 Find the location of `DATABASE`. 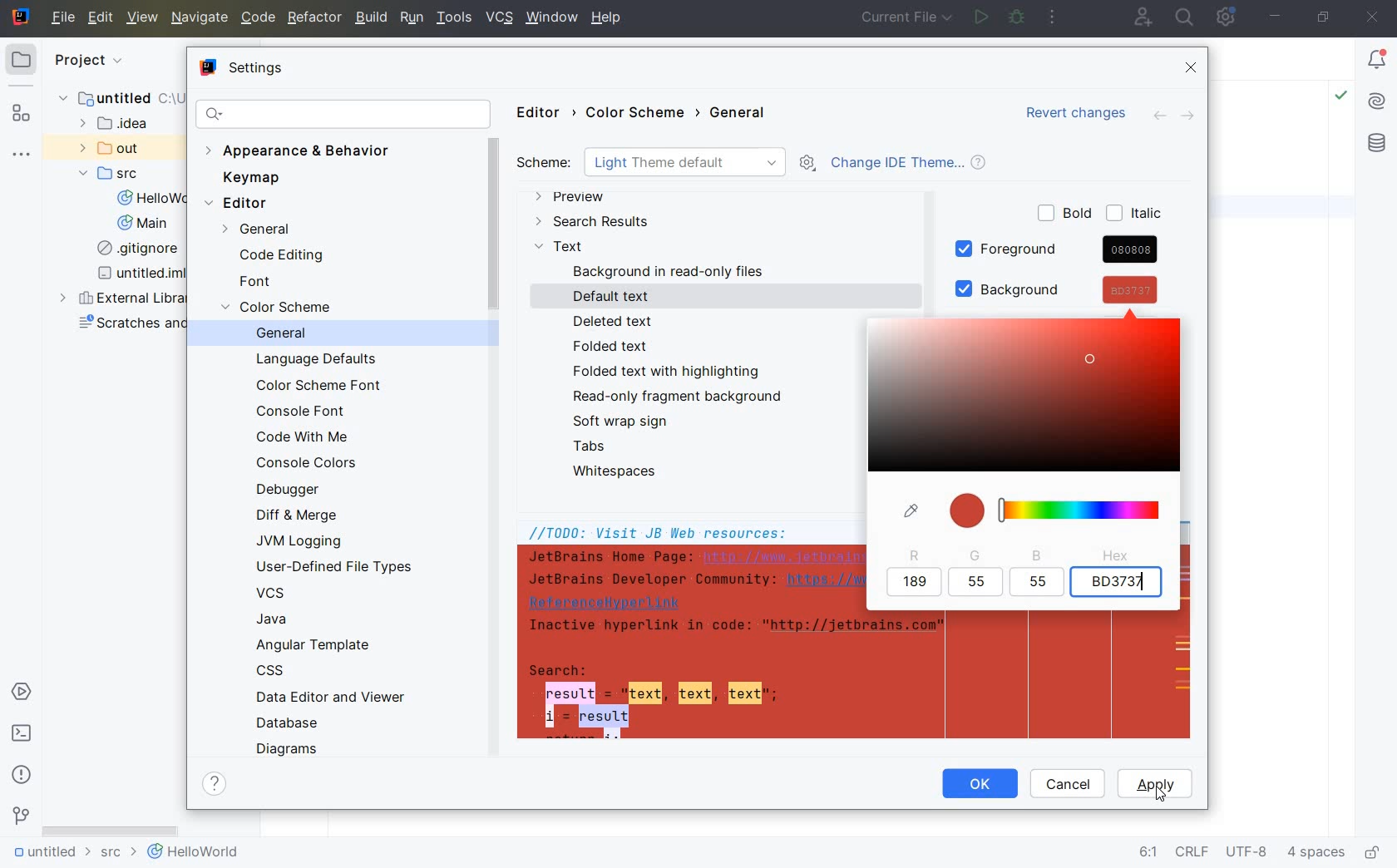

DATABASE is located at coordinates (293, 723).